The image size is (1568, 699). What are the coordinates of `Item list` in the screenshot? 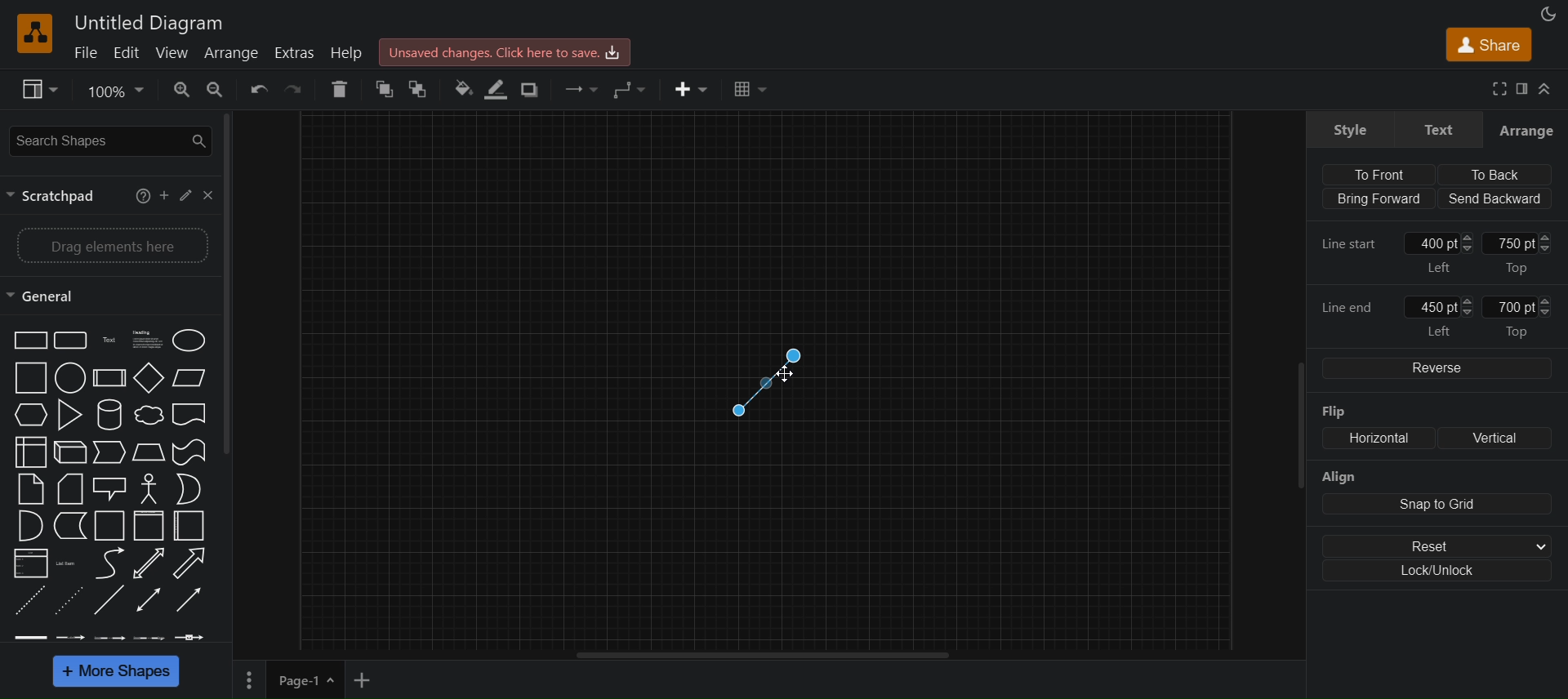 It's located at (68, 563).